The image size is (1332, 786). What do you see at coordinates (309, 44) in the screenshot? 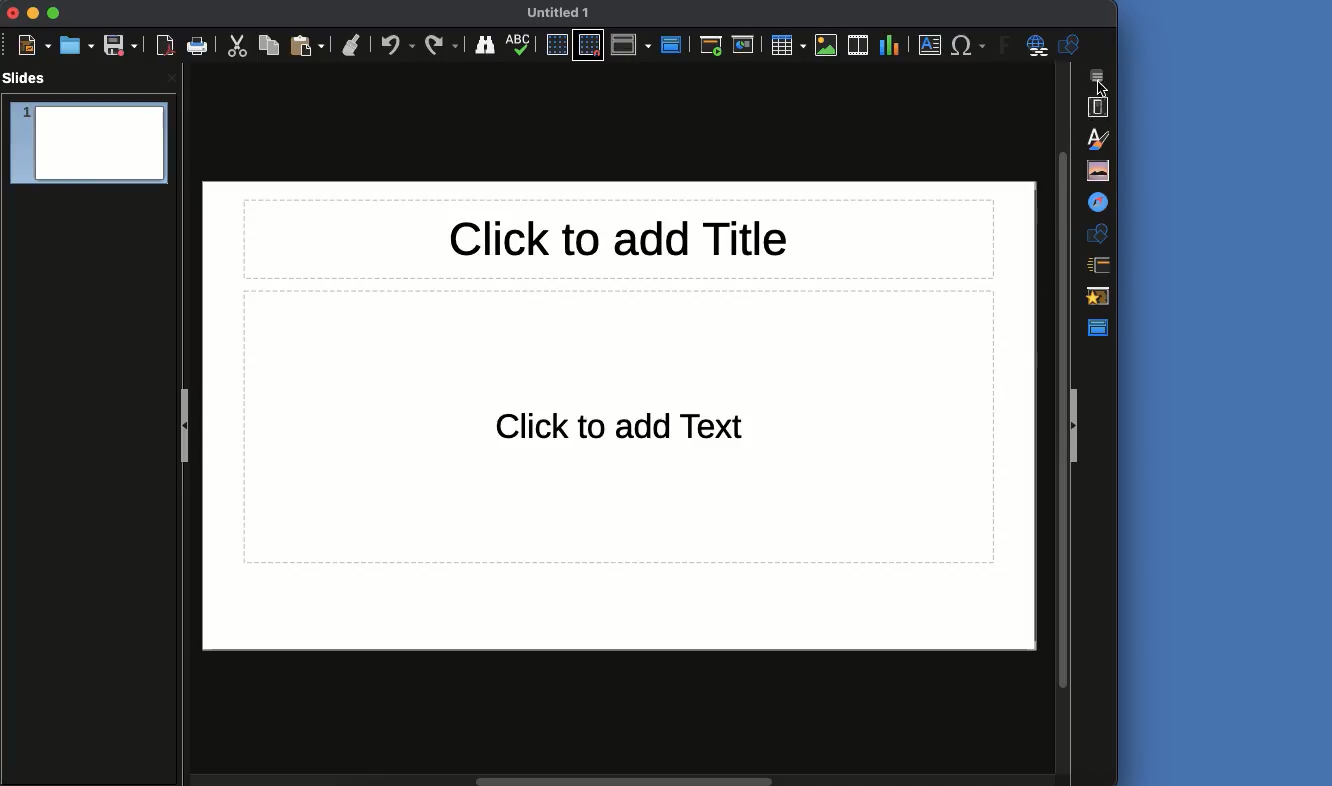
I see `Paste` at bounding box center [309, 44].